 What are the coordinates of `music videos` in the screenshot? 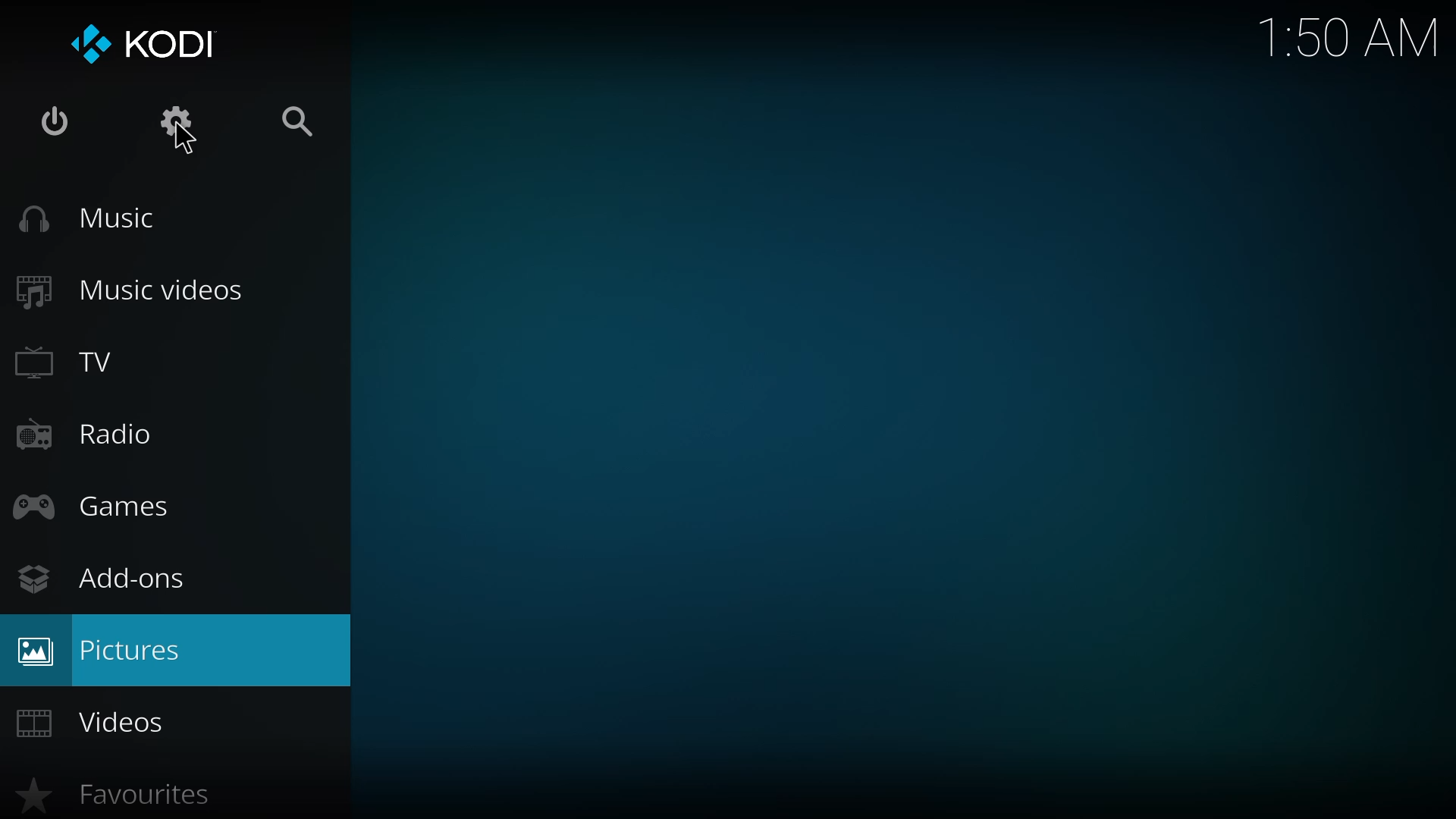 It's located at (148, 288).